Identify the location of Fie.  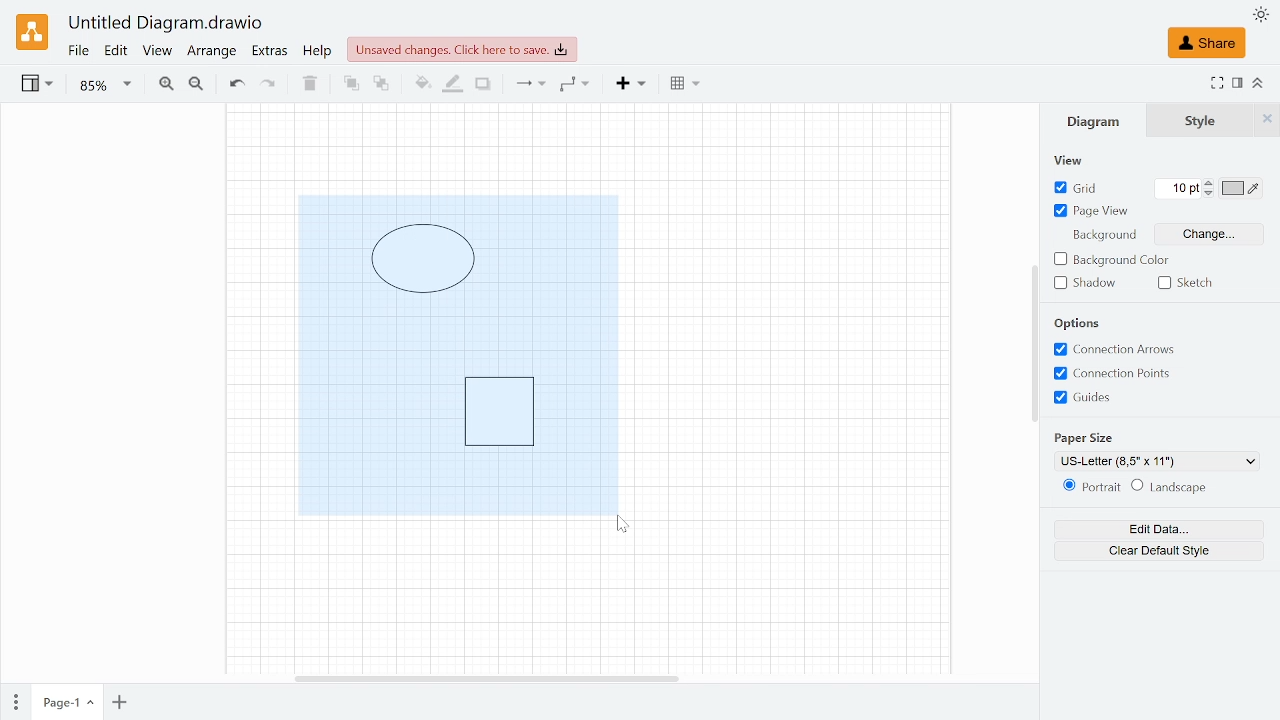
(78, 52).